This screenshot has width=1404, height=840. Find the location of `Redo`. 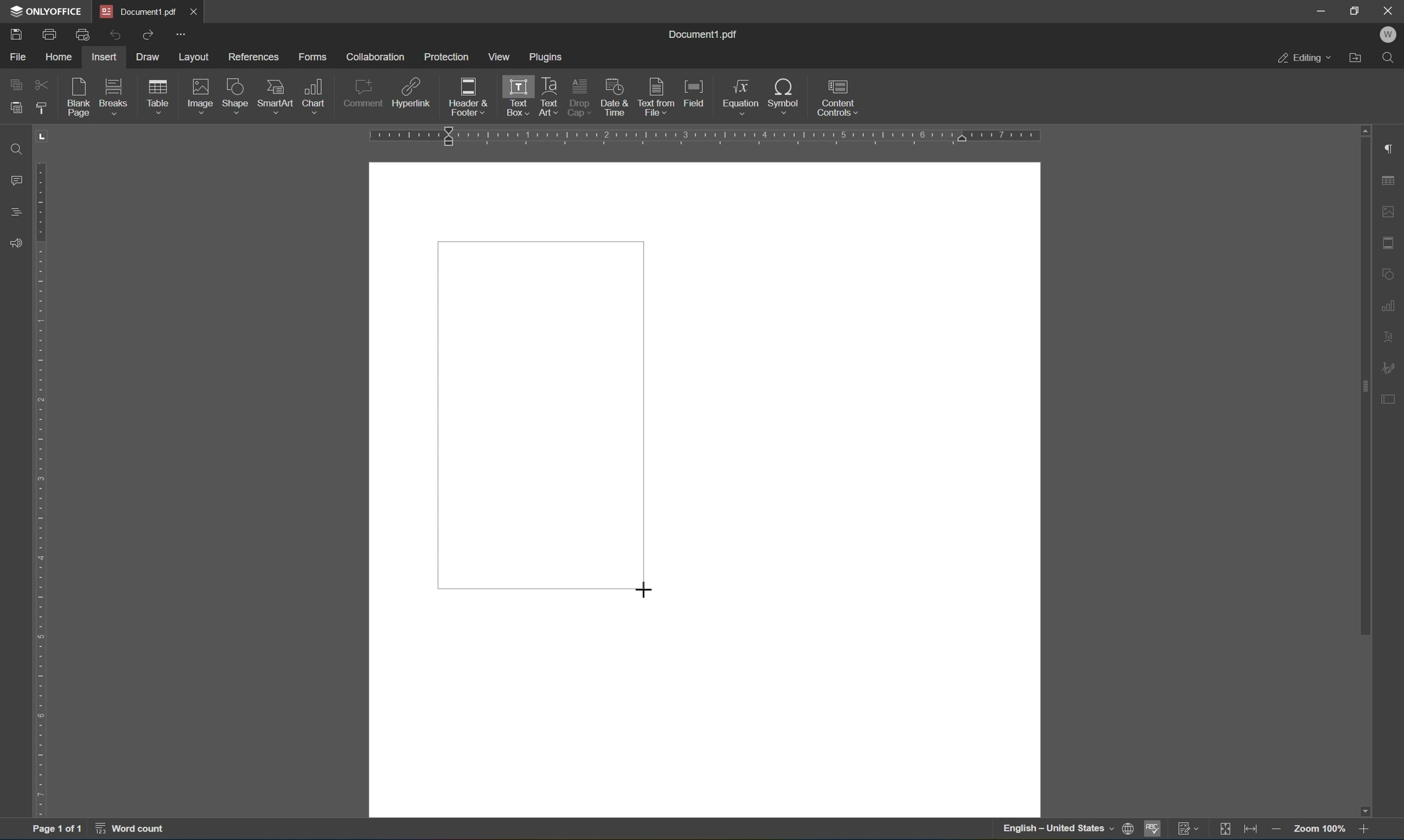

Redo is located at coordinates (145, 34).